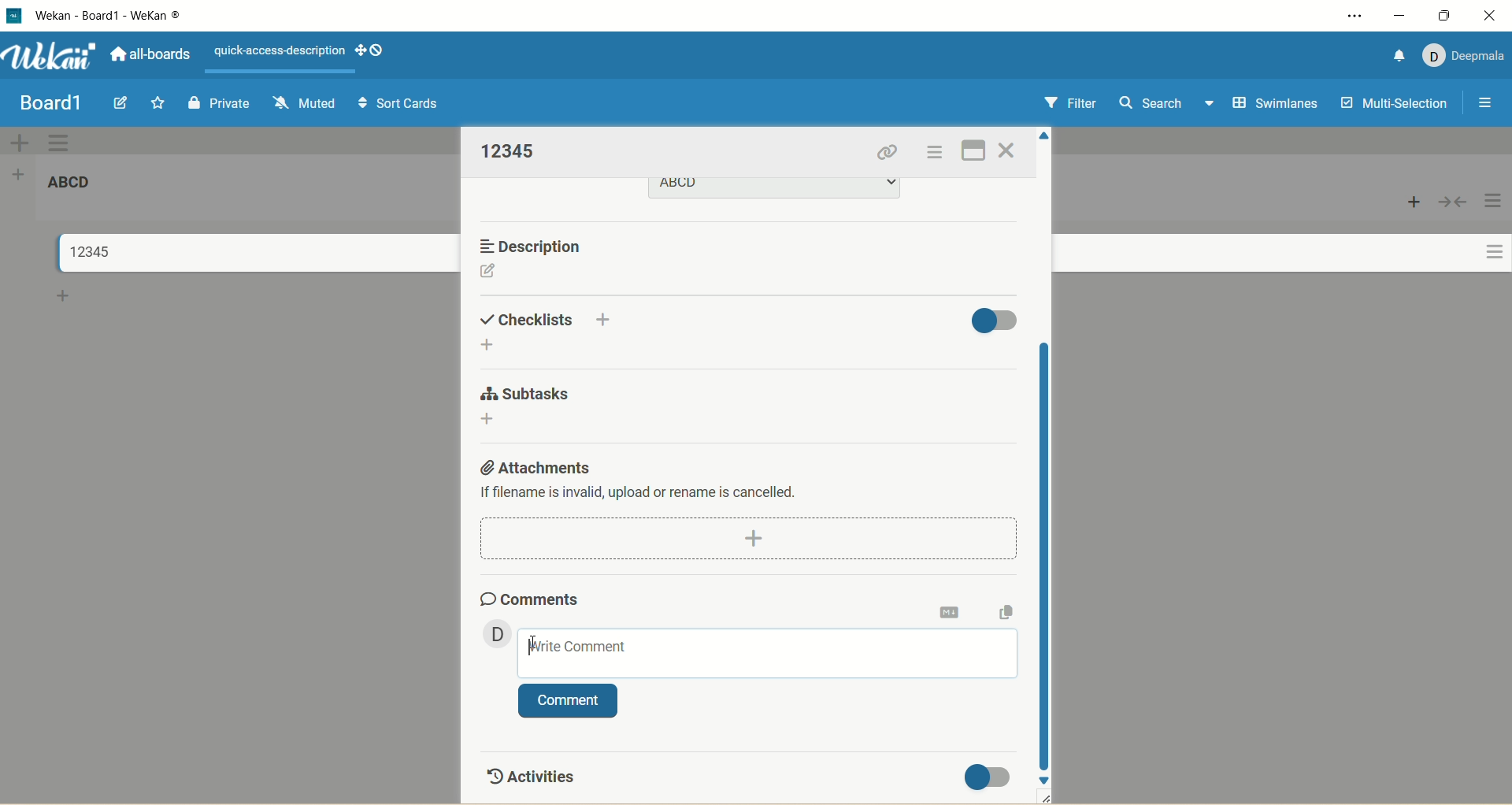  Describe the element at coordinates (1490, 15) in the screenshot. I see `close` at that location.